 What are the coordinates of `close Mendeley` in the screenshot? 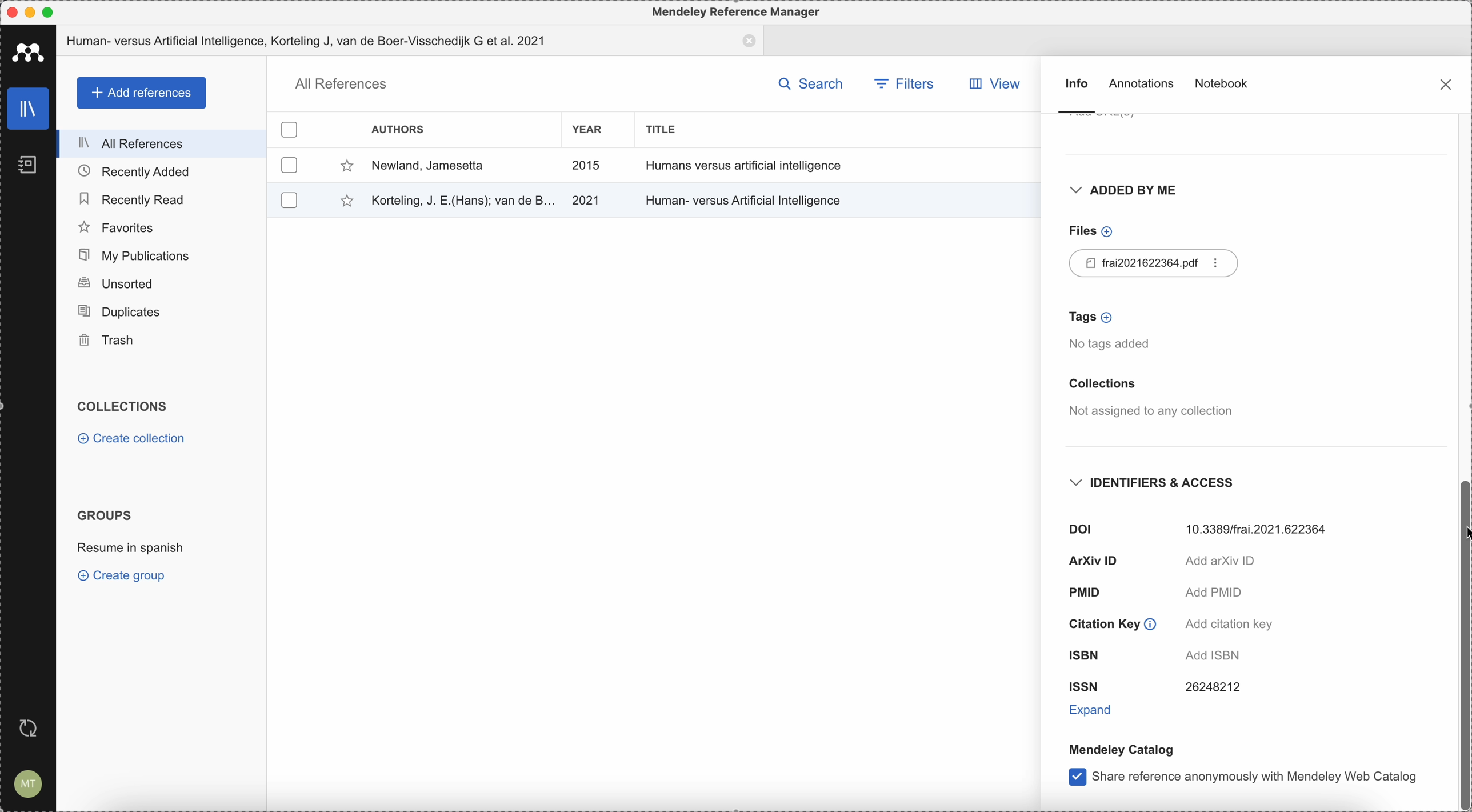 It's located at (11, 11).